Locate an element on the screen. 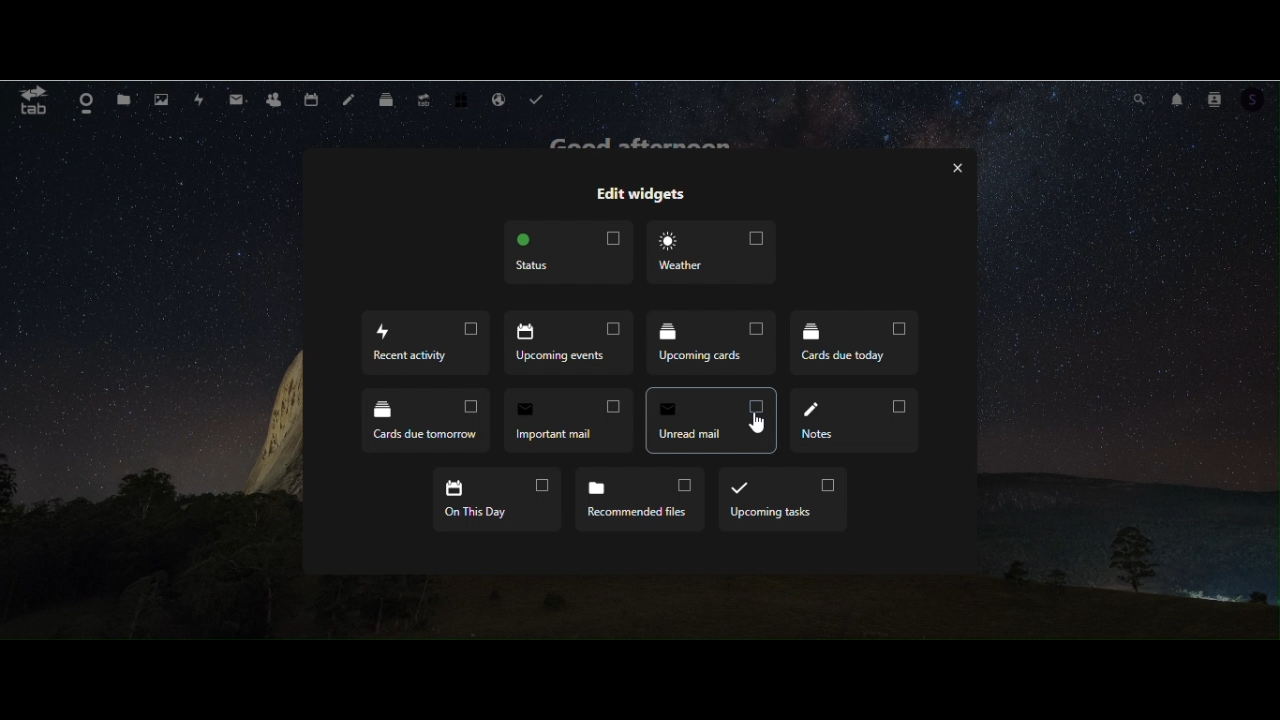 The height and width of the screenshot is (720, 1280). Recent activity is located at coordinates (423, 346).